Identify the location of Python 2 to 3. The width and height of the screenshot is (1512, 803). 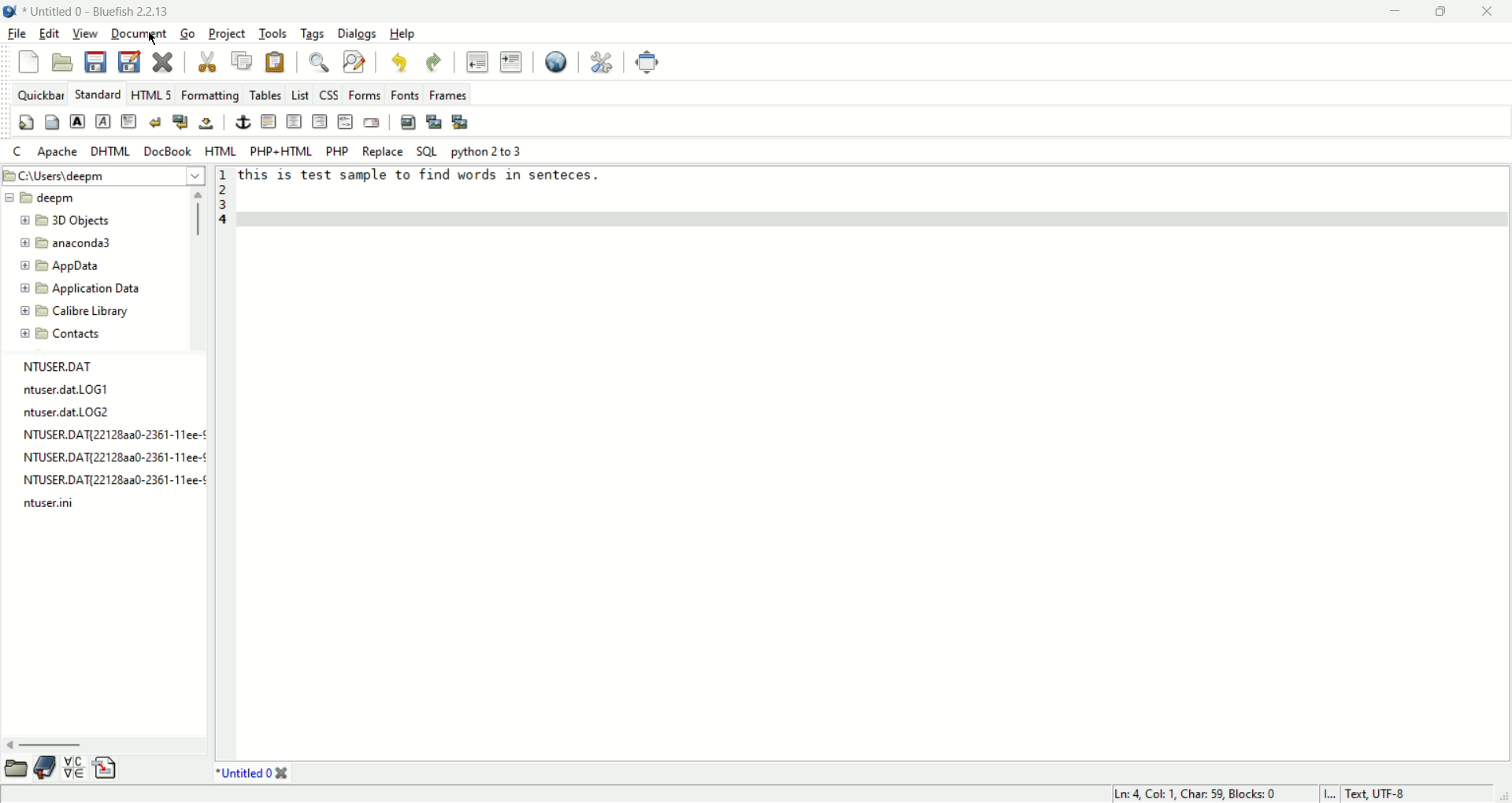
(495, 151).